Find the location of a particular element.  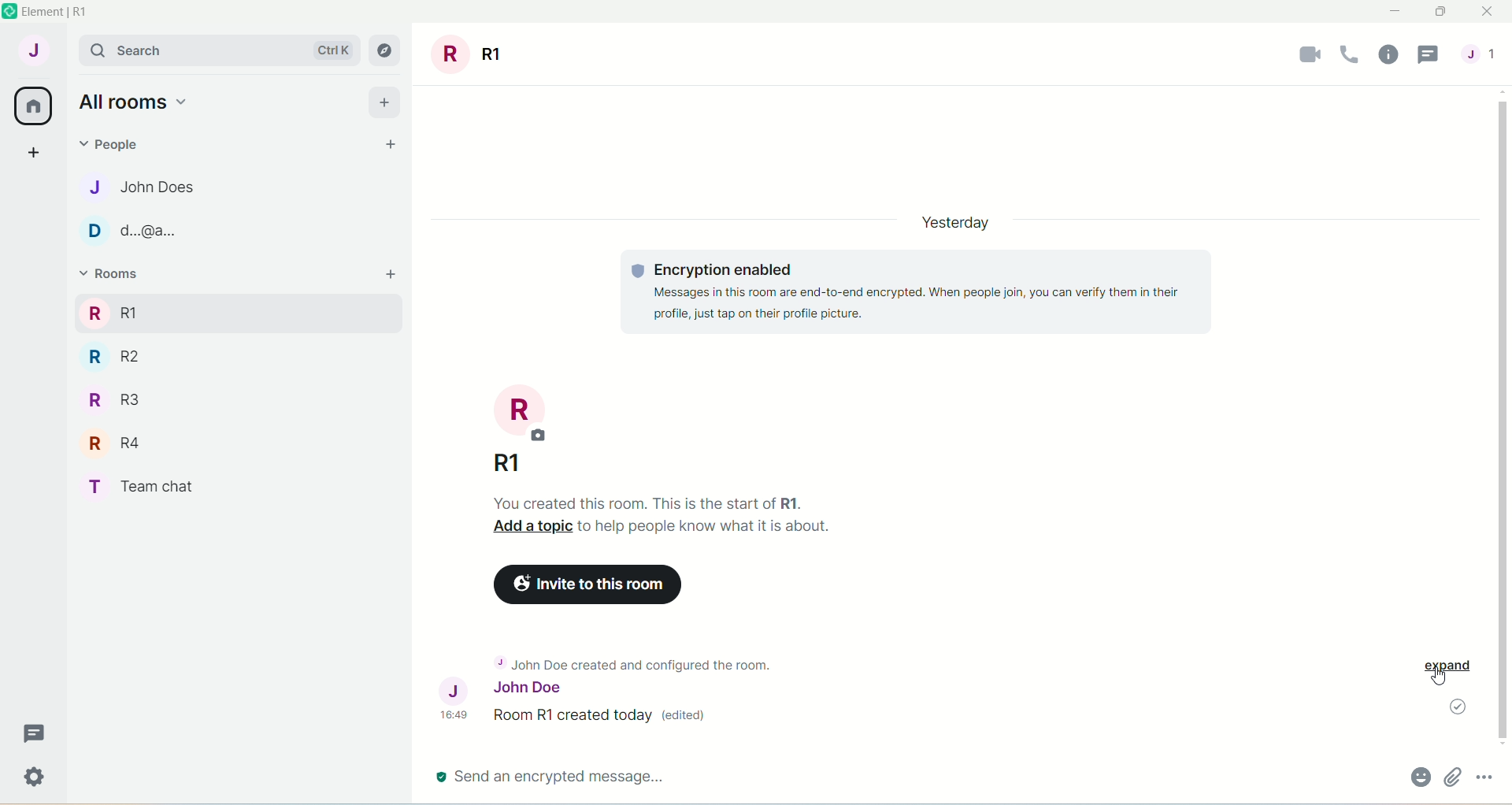

v Rooms is located at coordinates (150, 273).